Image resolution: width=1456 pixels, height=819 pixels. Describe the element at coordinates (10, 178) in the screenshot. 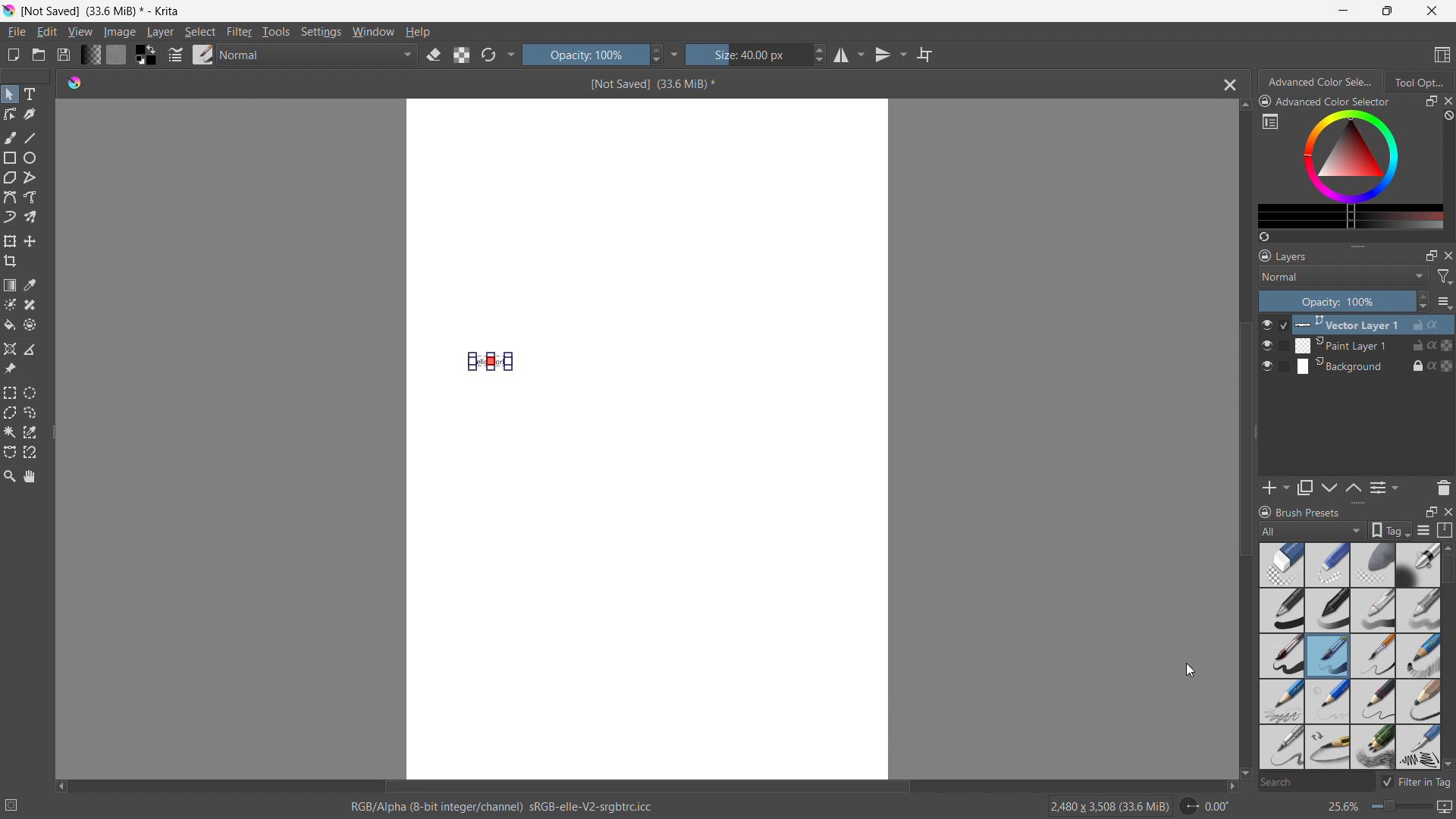

I see `polygon tool` at that location.